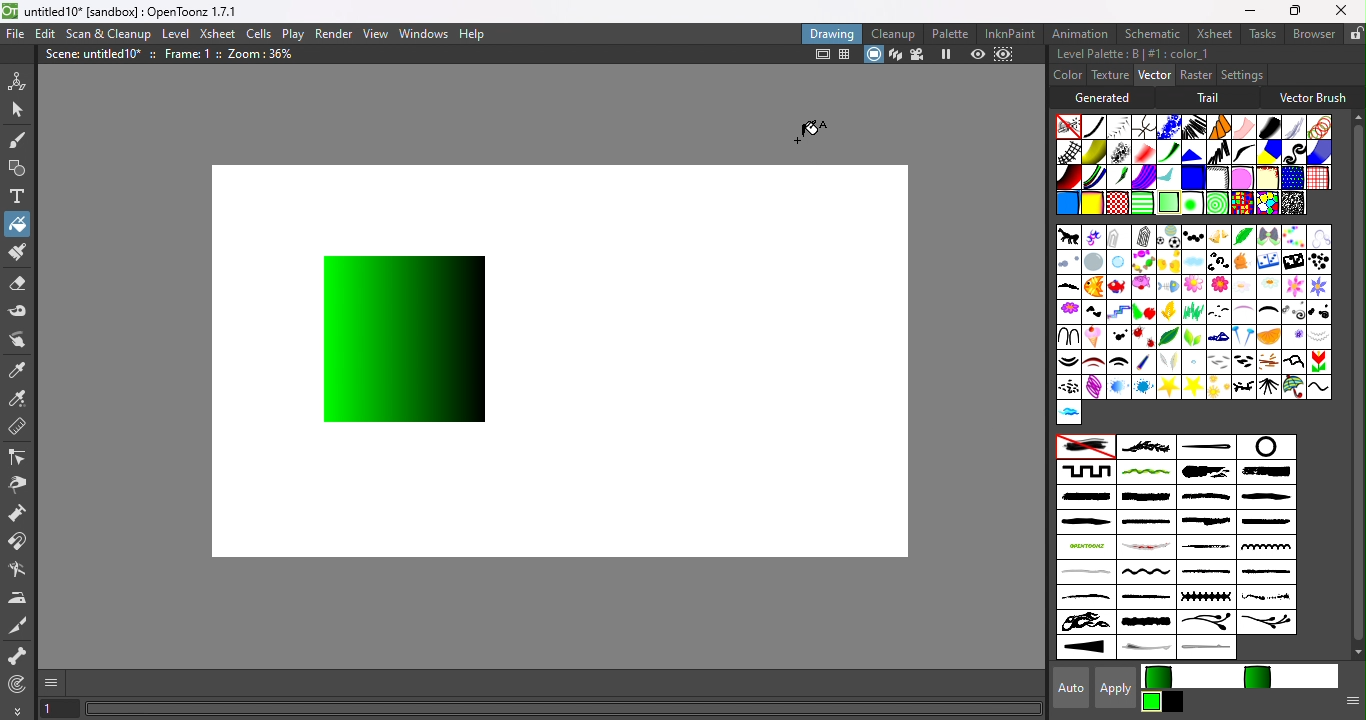 This screenshot has width=1366, height=720. What do you see at coordinates (1085, 546) in the screenshot?
I see `otlogo` at bounding box center [1085, 546].